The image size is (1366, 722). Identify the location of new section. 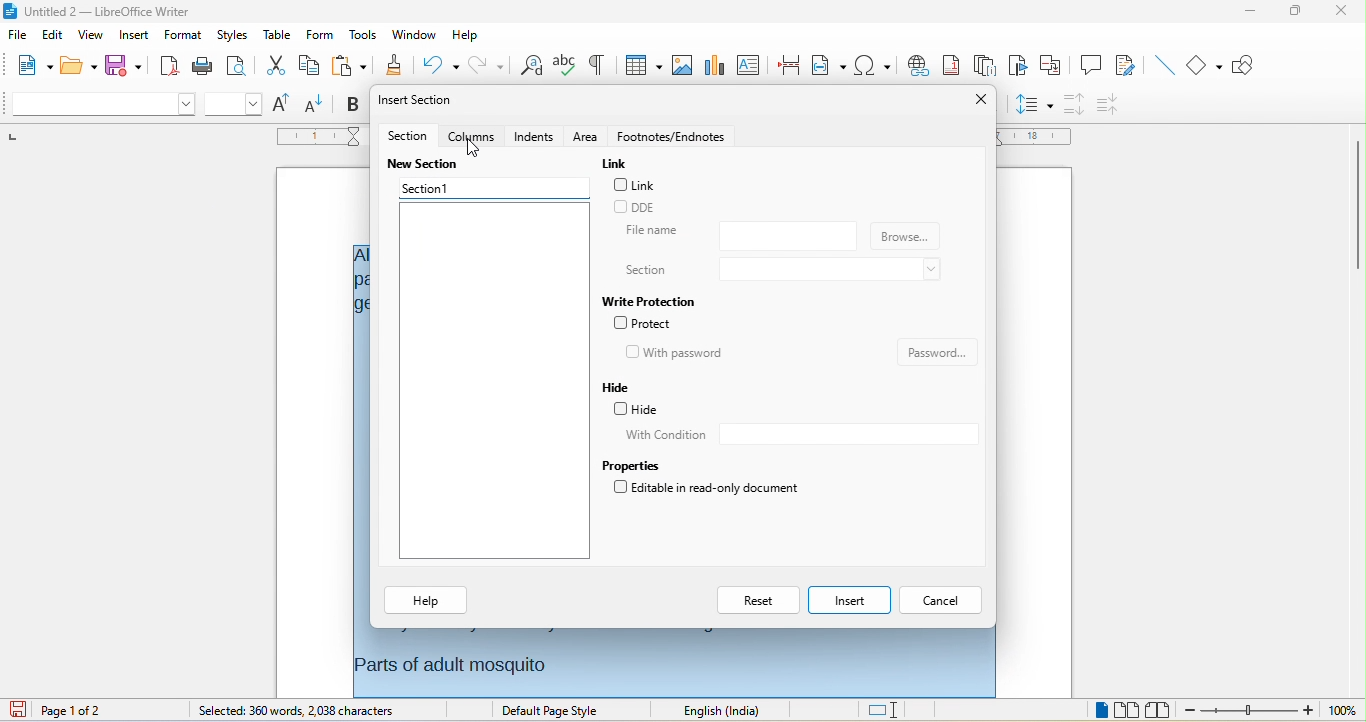
(423, 163).